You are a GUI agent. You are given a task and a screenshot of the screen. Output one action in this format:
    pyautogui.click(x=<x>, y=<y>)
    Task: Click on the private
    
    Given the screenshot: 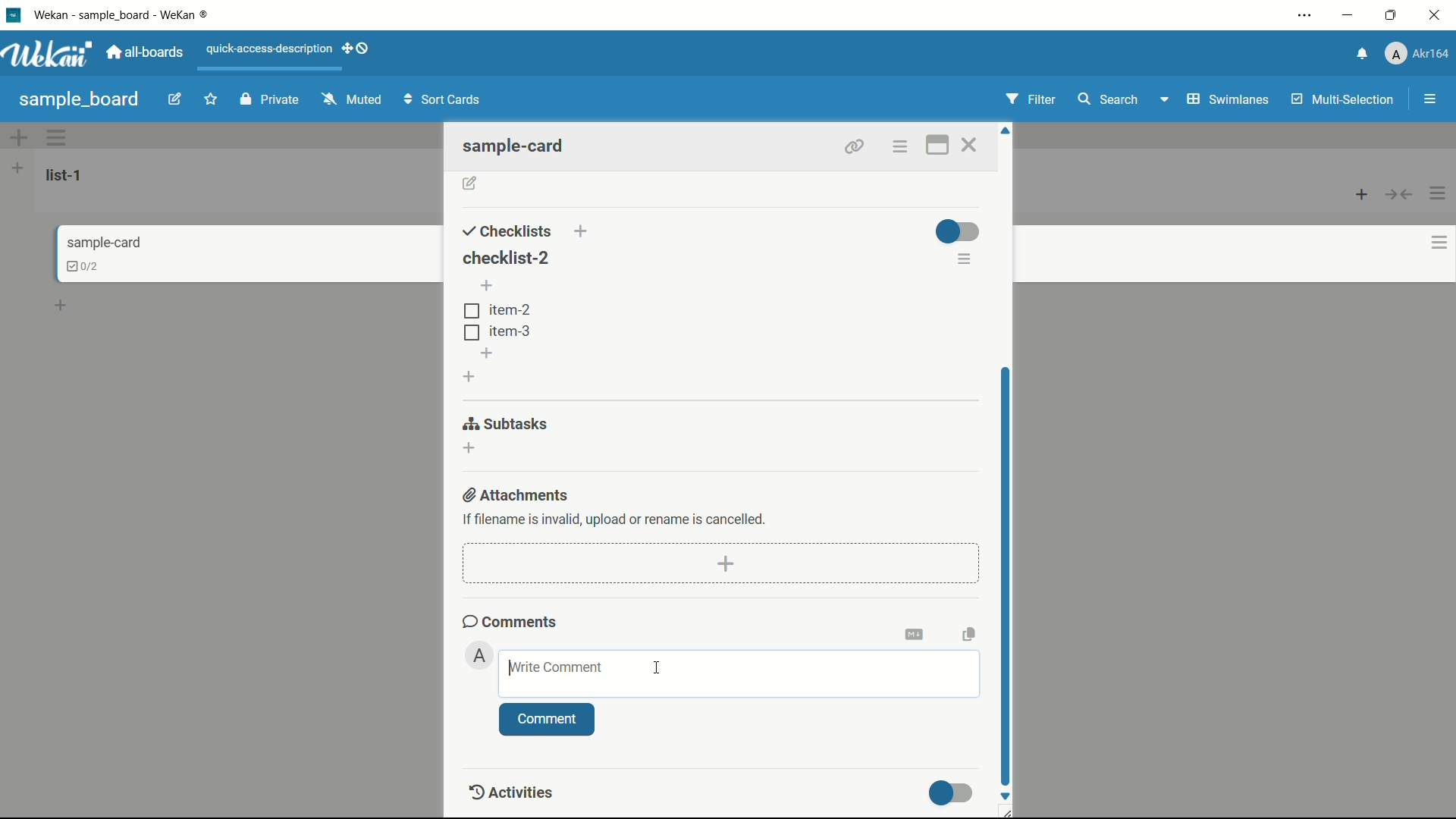 What is the action you would take?
    pyautogui.click(x=269, y=100)
    